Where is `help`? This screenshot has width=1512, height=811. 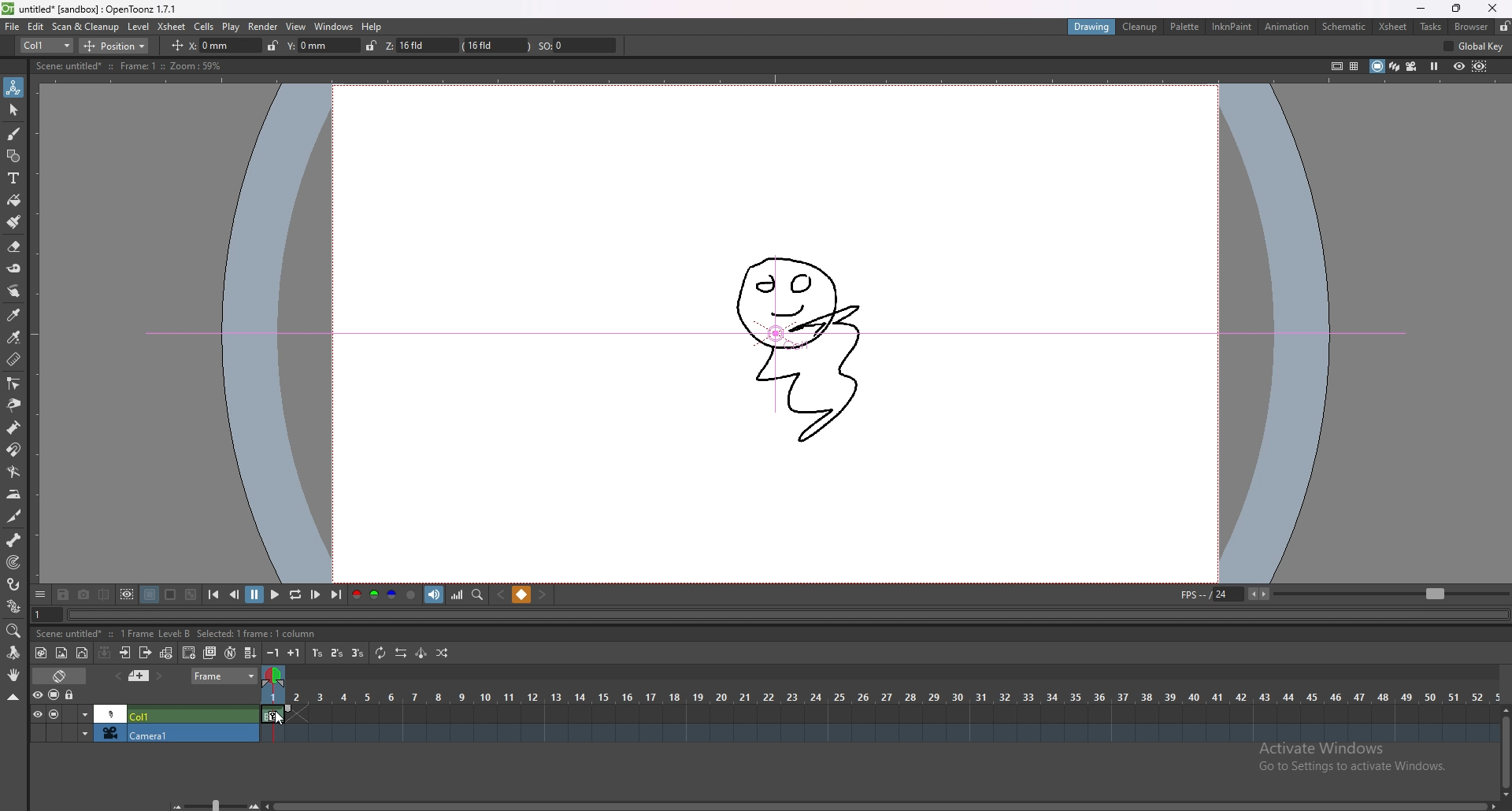 help is located at coordinates (373, 27).